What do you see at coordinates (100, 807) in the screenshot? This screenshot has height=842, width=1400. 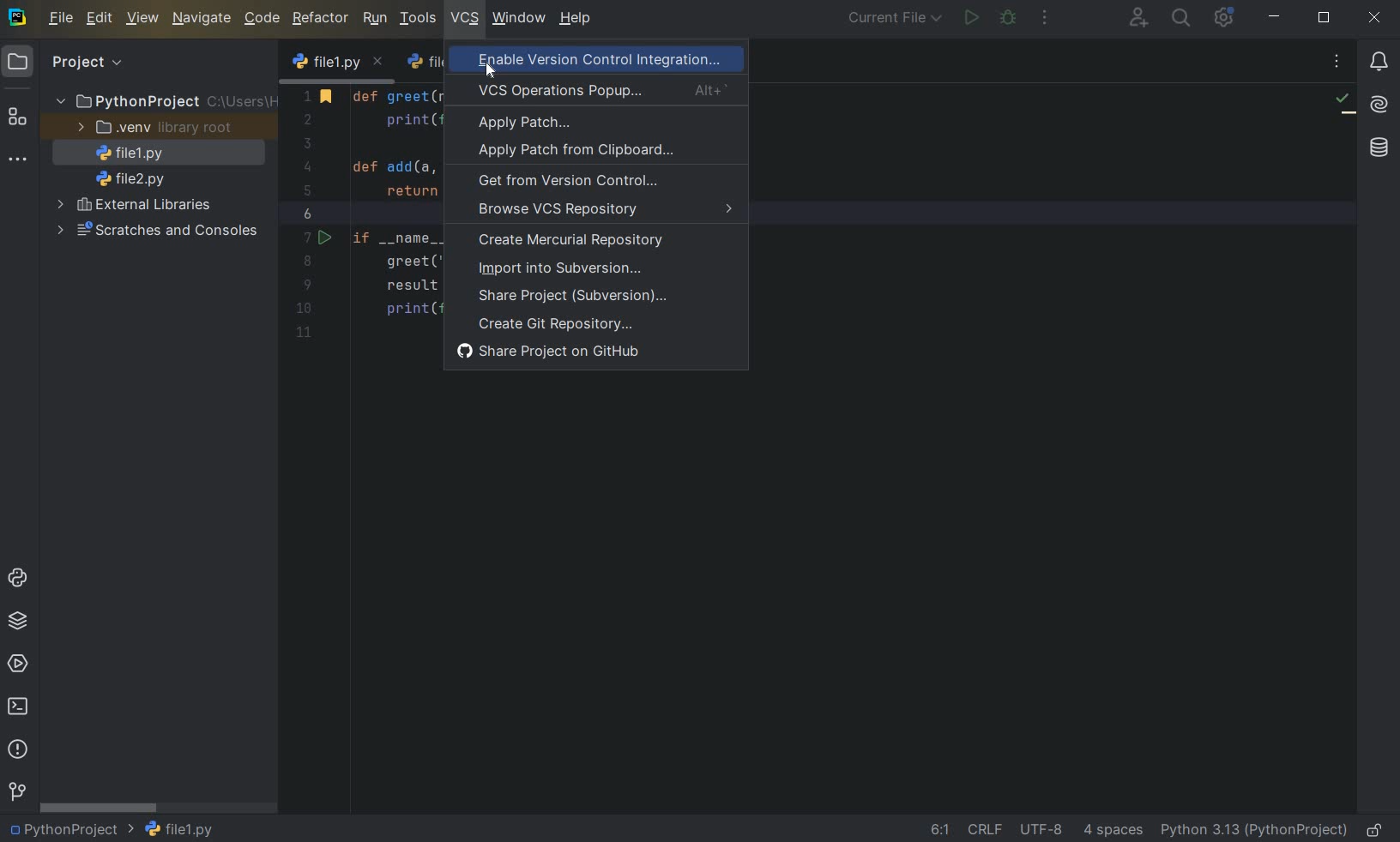 I see `scrollbar` at bounding box center [100, 807].